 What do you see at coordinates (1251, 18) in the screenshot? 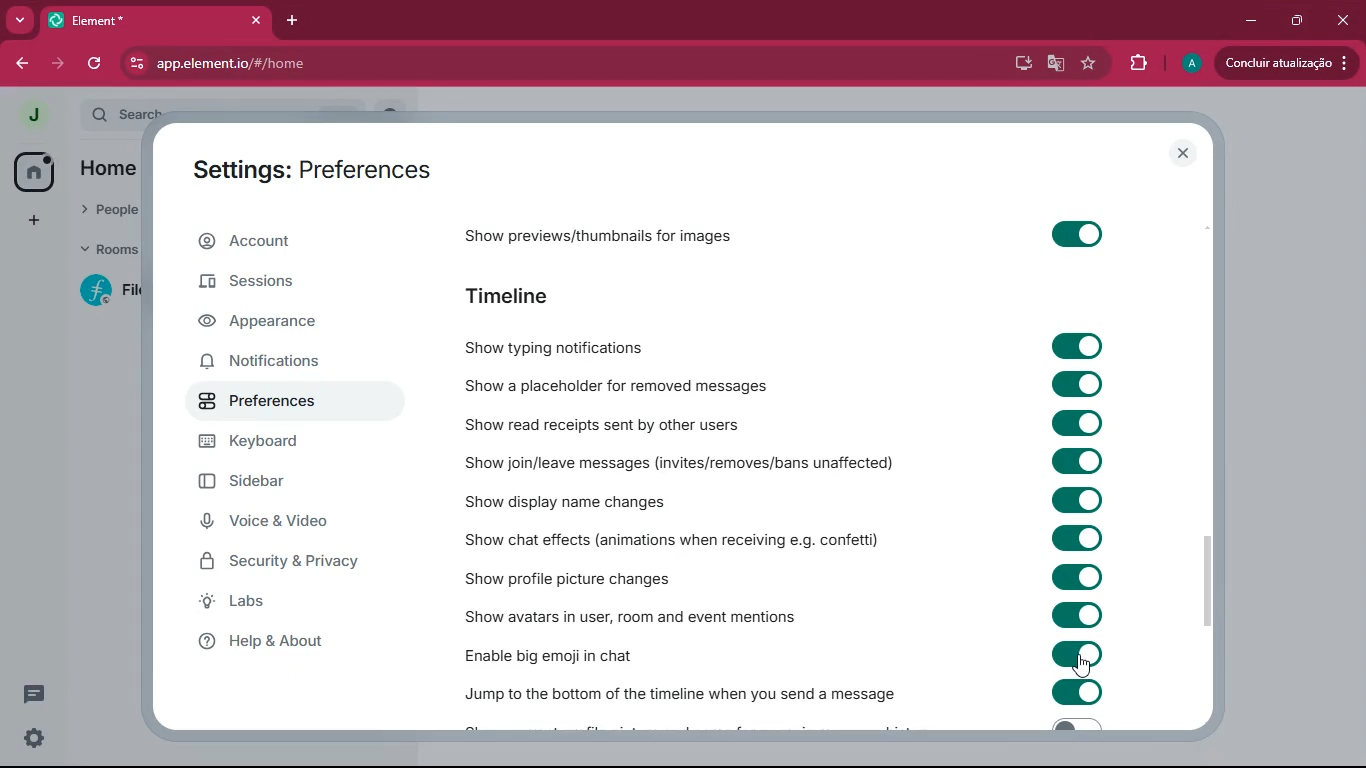
I see `minimize` at bounding box center [1251, 18].